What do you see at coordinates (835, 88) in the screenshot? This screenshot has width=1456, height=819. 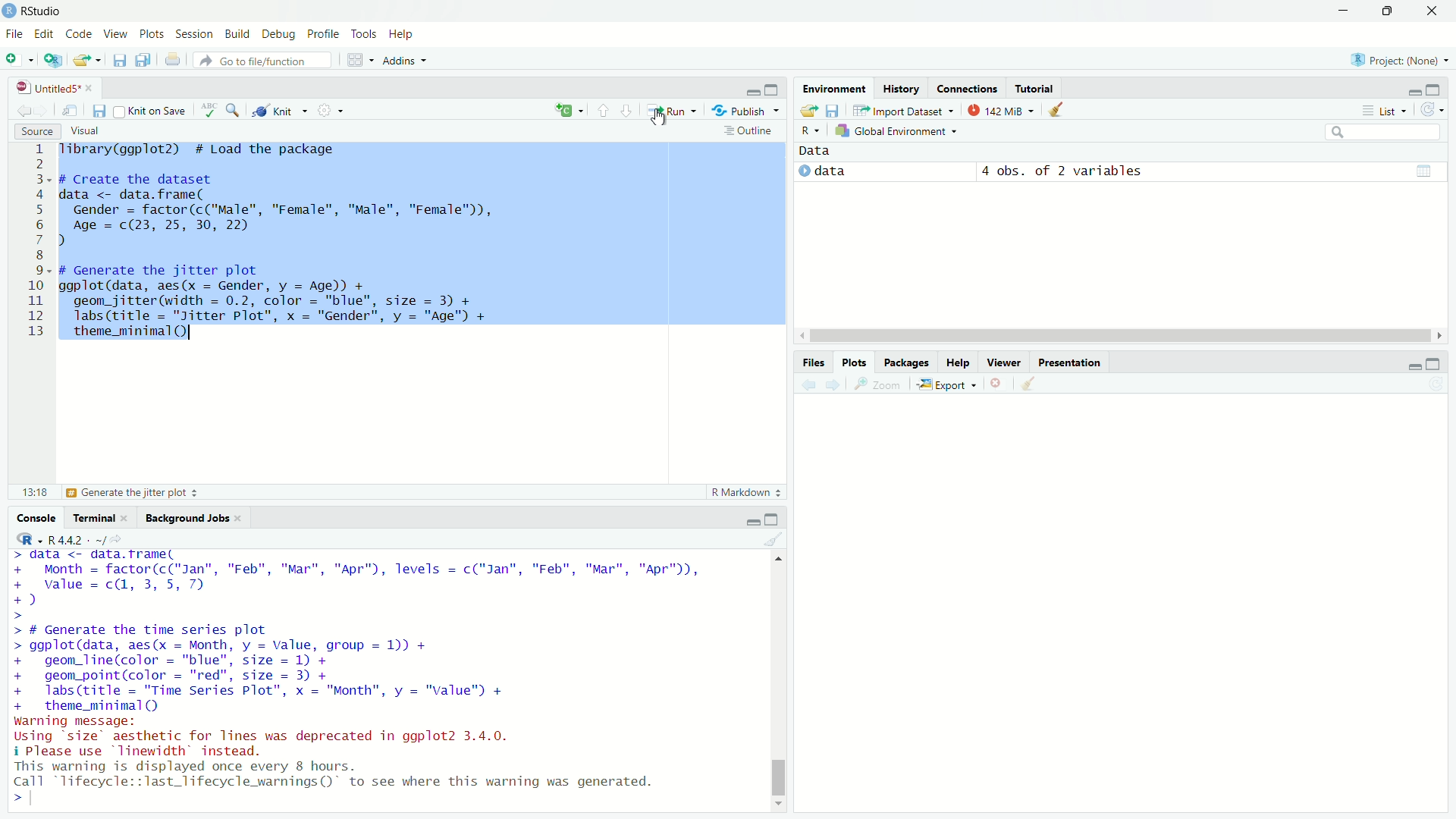 I see `environment` at bounding box center [835, 88].